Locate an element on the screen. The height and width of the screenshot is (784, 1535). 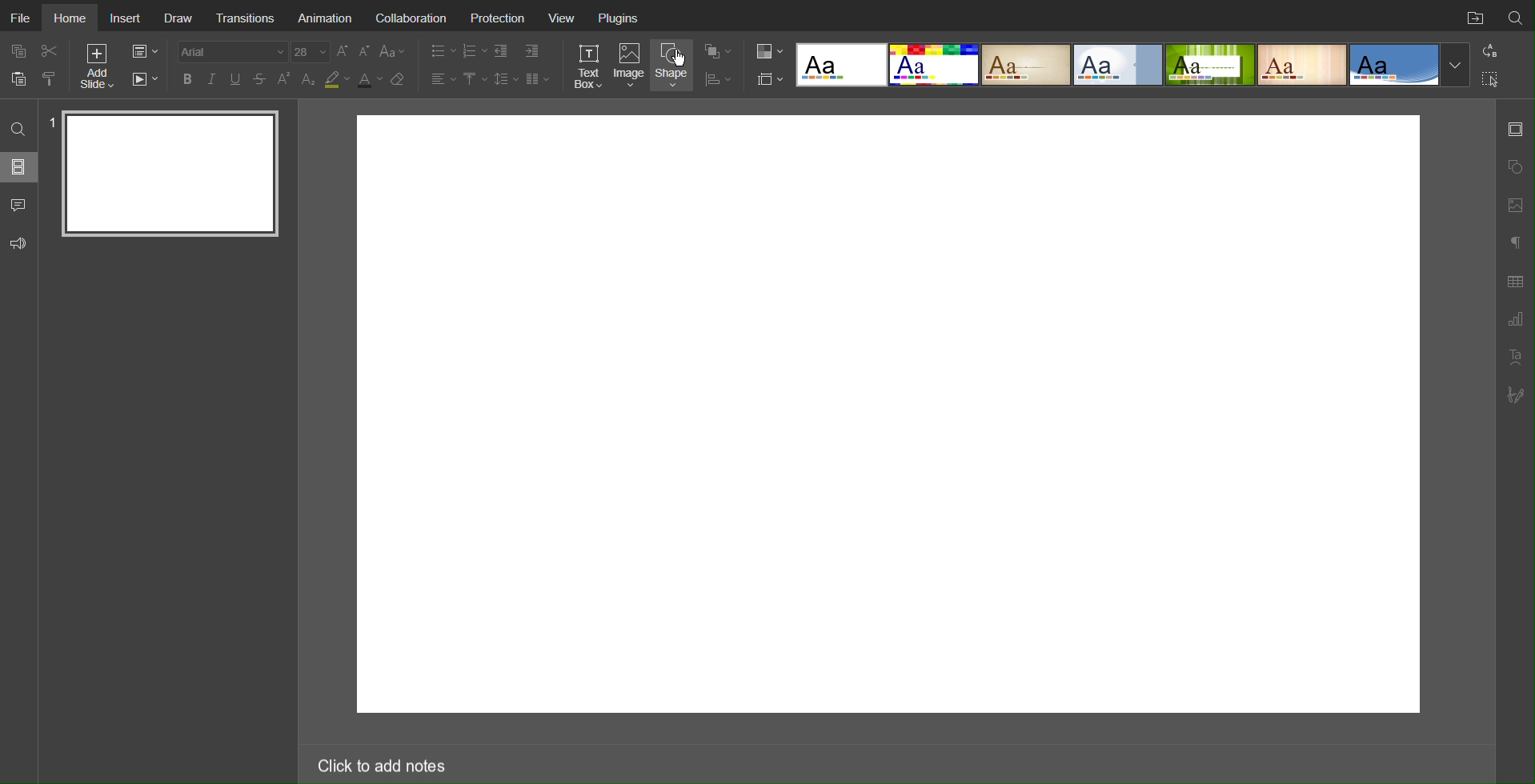
Feedback and Support is located at coordinates (18, 244).